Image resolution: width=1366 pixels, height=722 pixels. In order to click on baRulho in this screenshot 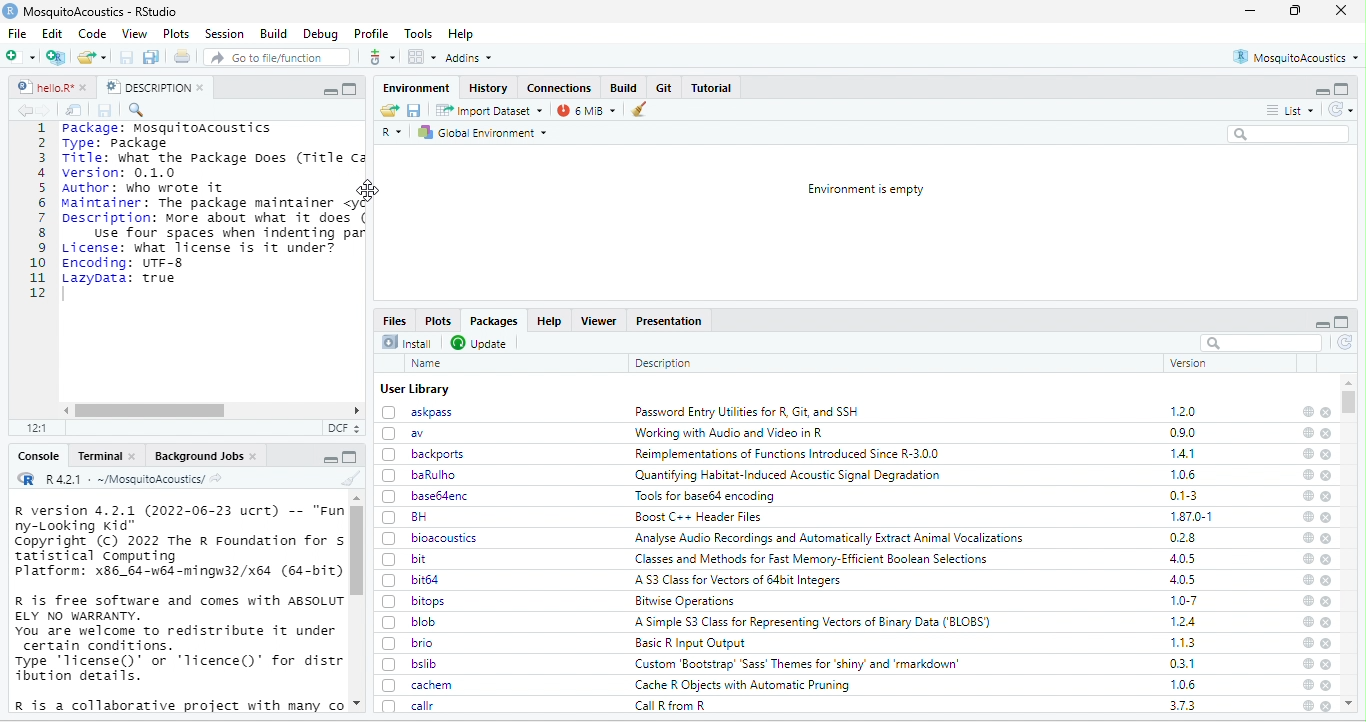, I will do `click(419, 475)`.